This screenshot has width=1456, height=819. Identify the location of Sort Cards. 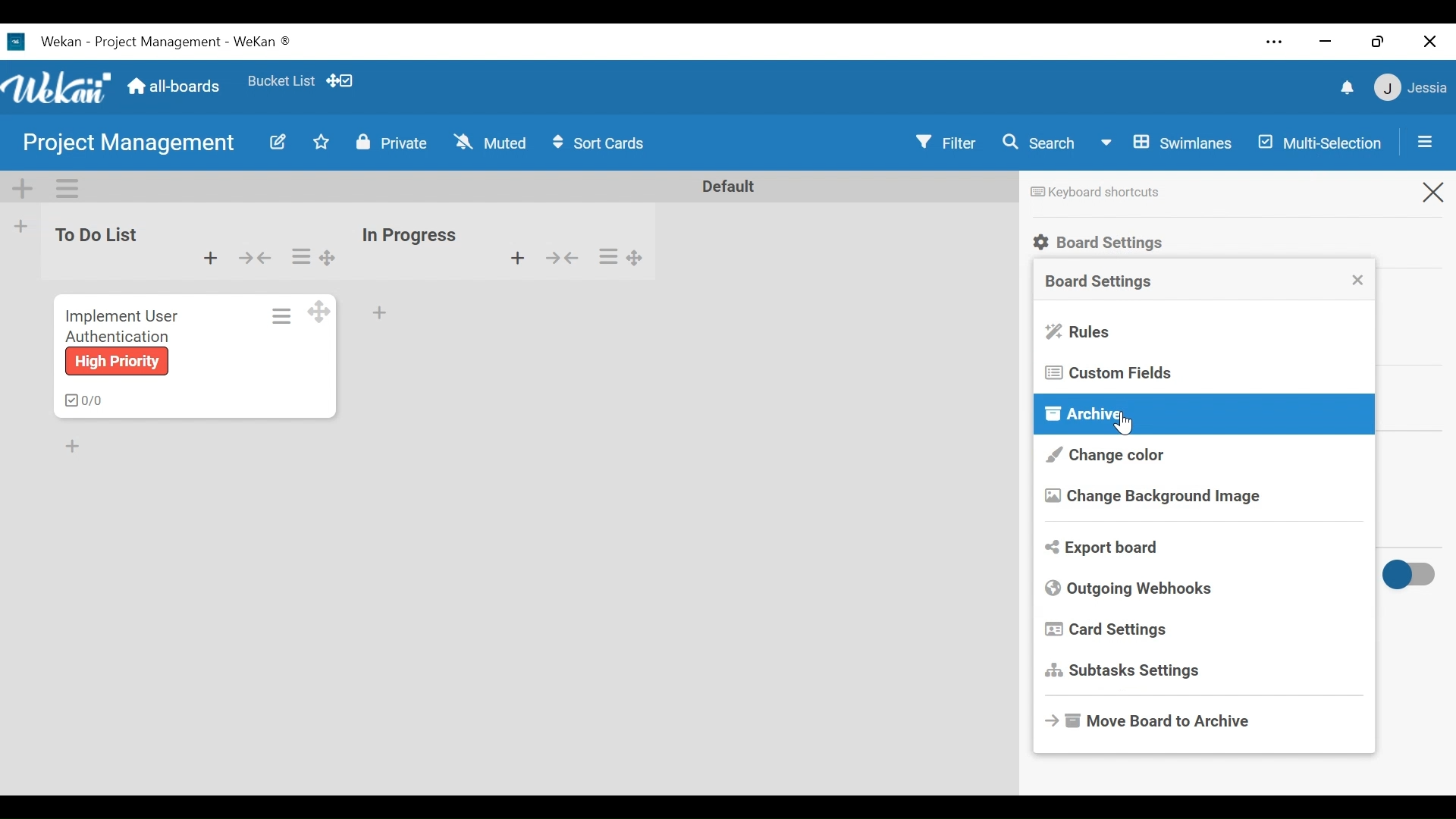
(601, 143).